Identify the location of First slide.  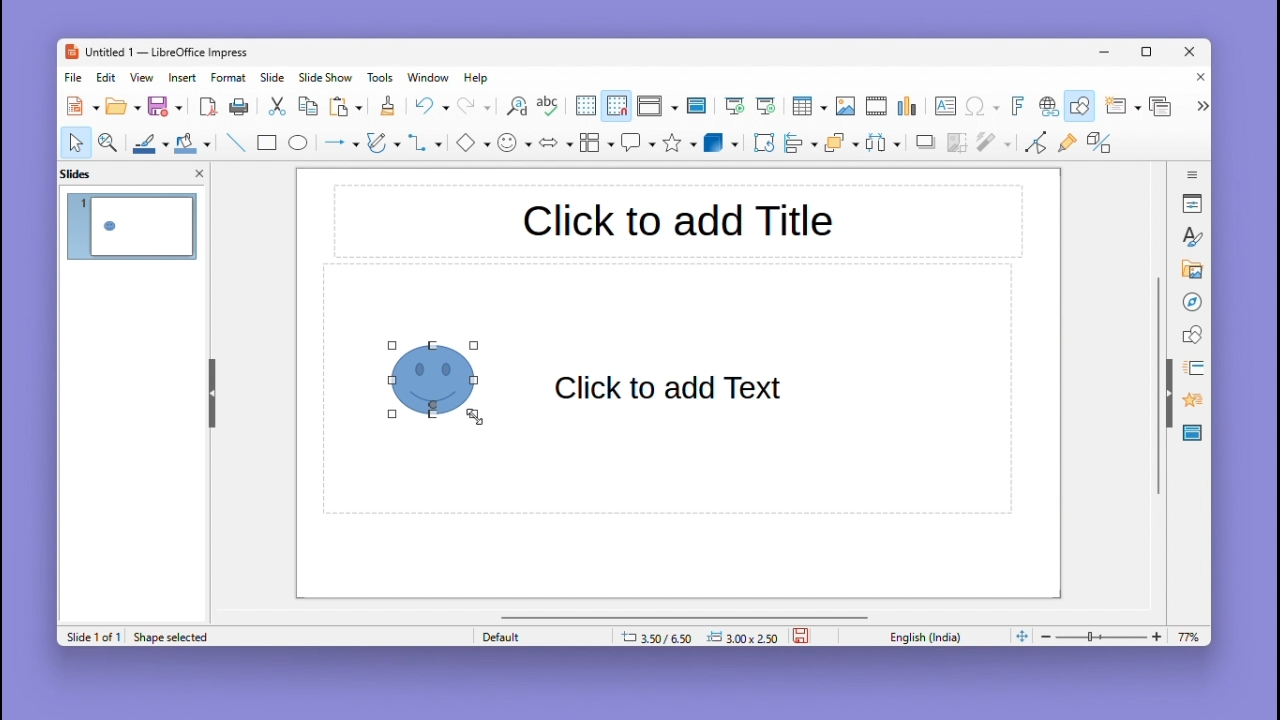
(735, 107).